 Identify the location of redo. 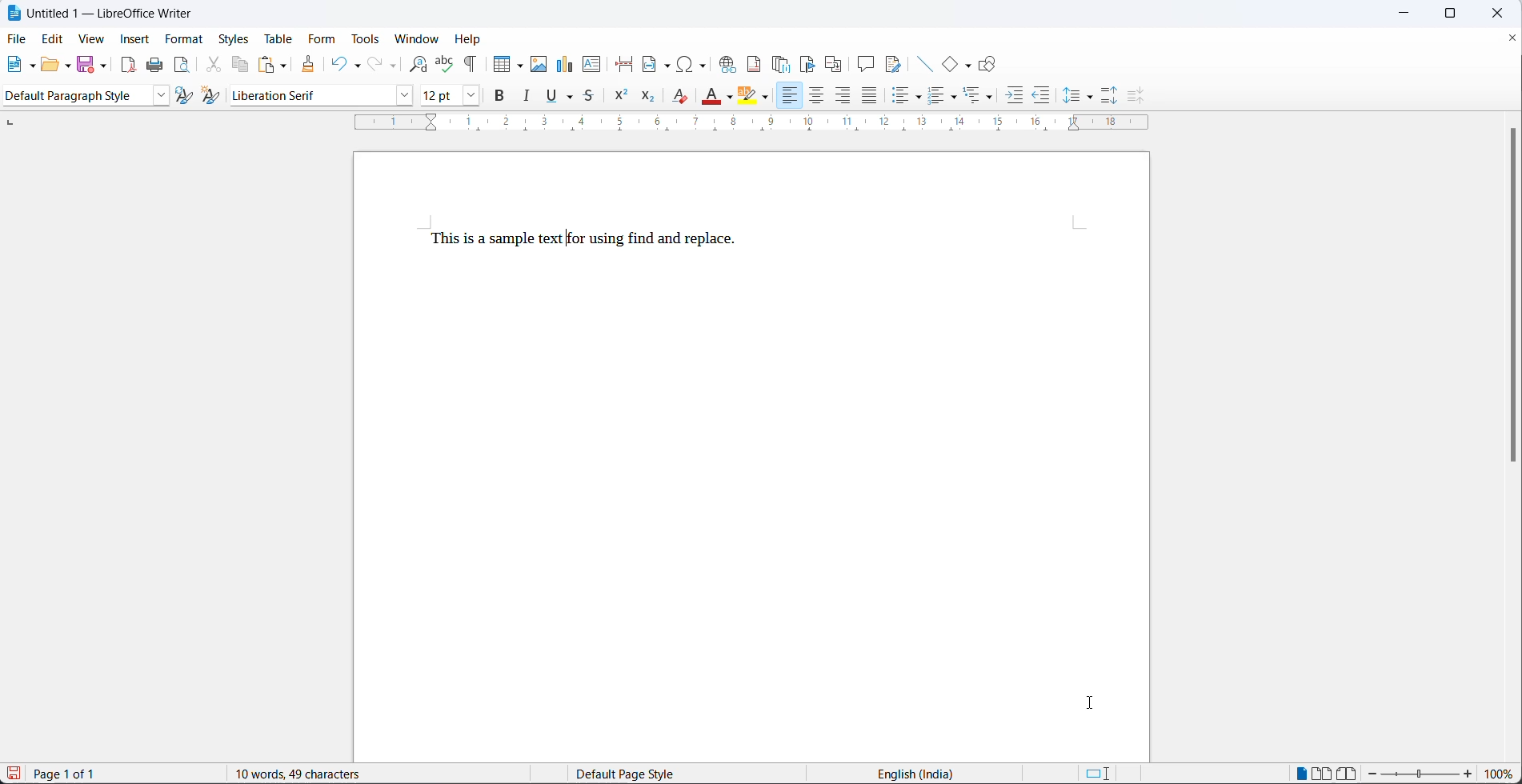
(376, 64).